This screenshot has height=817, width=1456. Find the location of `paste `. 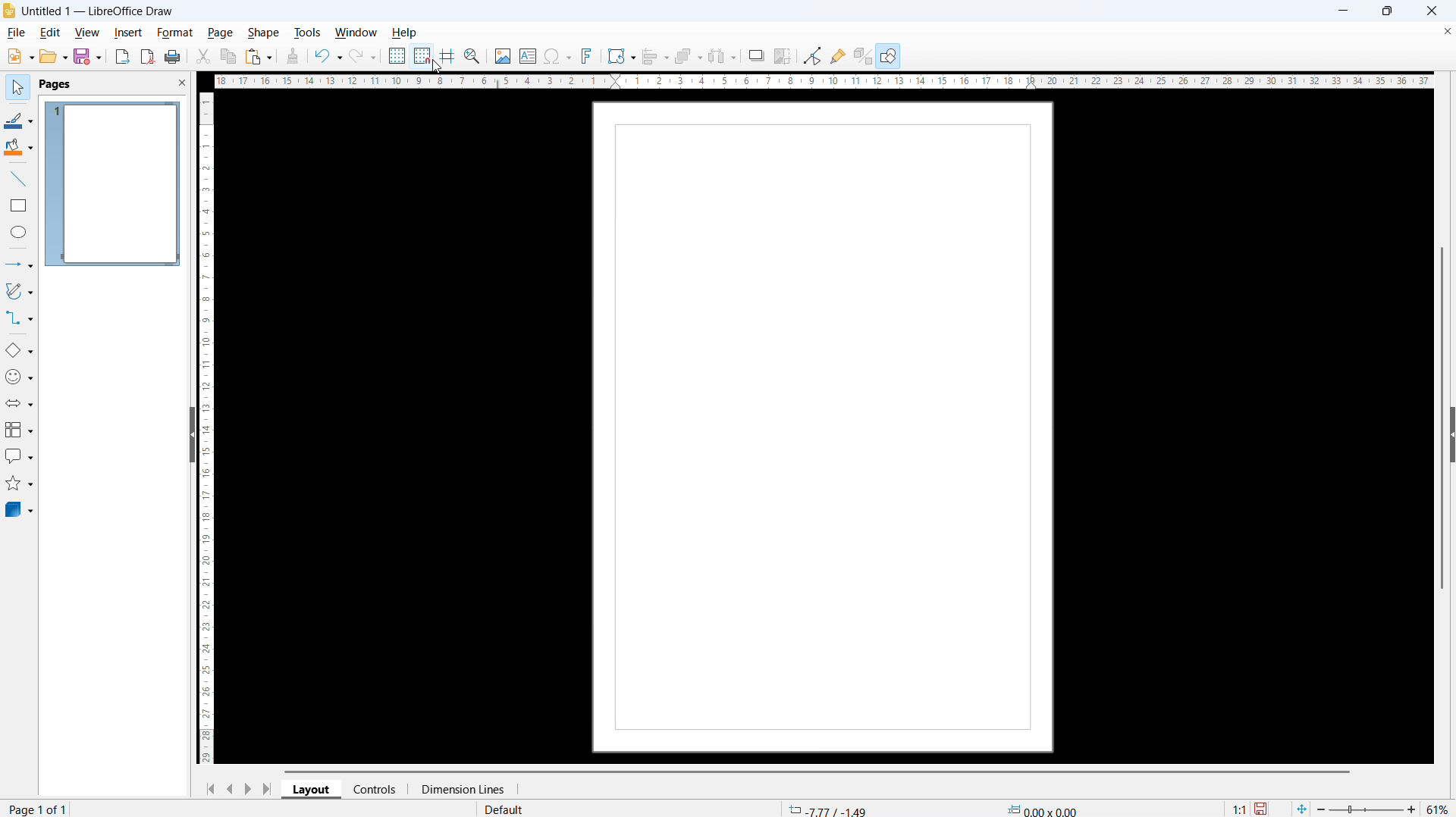

paste  is located at coordinates (258, 56).